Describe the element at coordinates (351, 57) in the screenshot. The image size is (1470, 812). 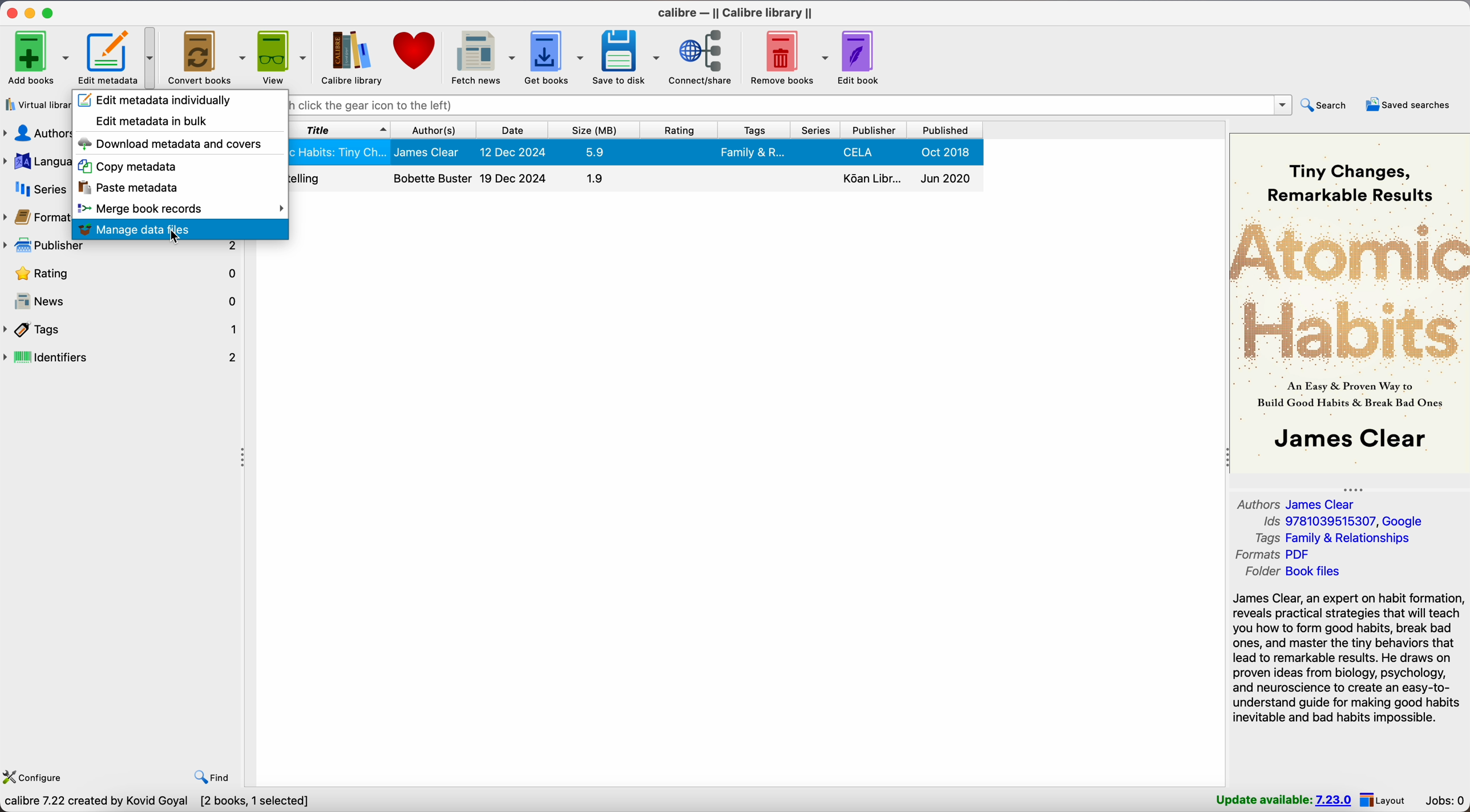
I see `Calibre library` at that location.